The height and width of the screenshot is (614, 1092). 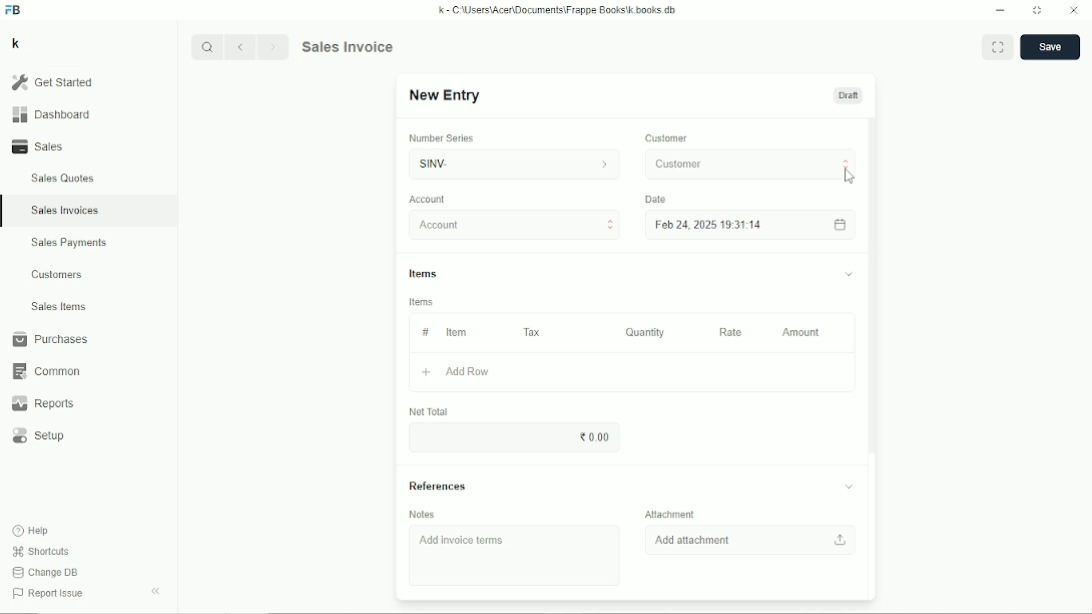 I want to click on Customers, so click(x=58, y=274).